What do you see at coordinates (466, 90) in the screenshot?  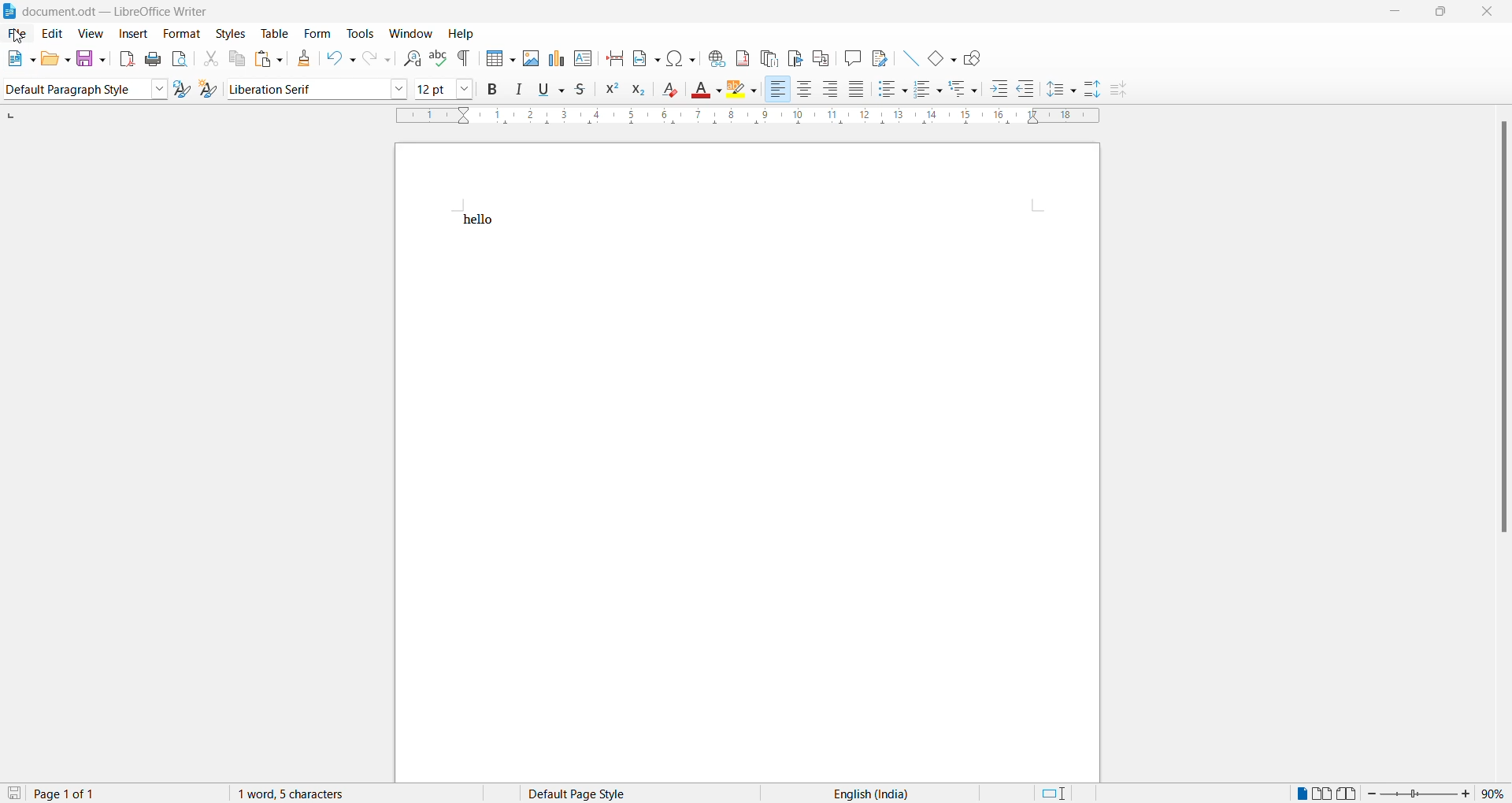 I see `Font size options` at bounding box center [466, 90].